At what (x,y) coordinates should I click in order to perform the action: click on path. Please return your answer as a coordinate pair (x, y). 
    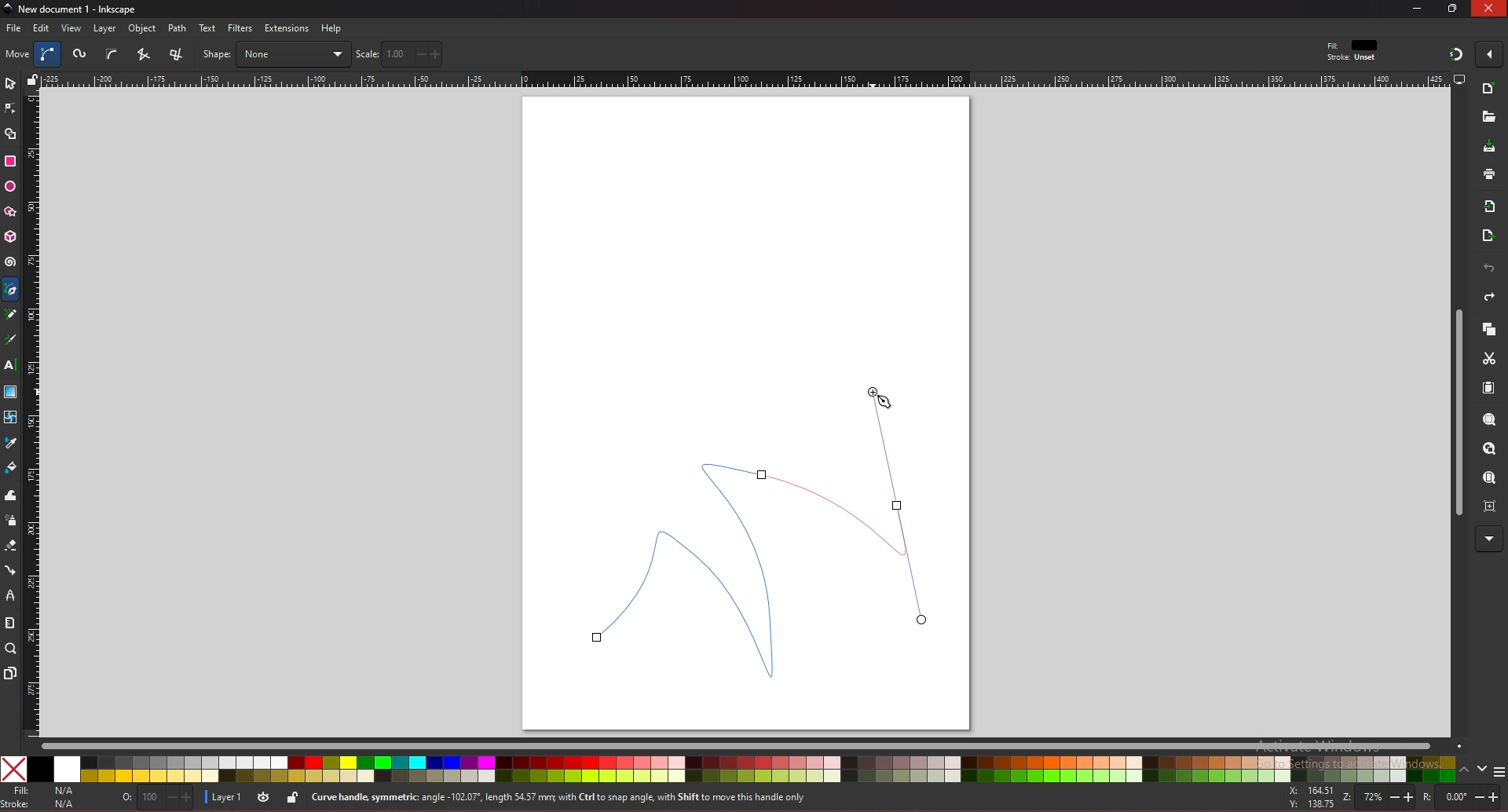
    Looking at the image, I should click on (178, 28).